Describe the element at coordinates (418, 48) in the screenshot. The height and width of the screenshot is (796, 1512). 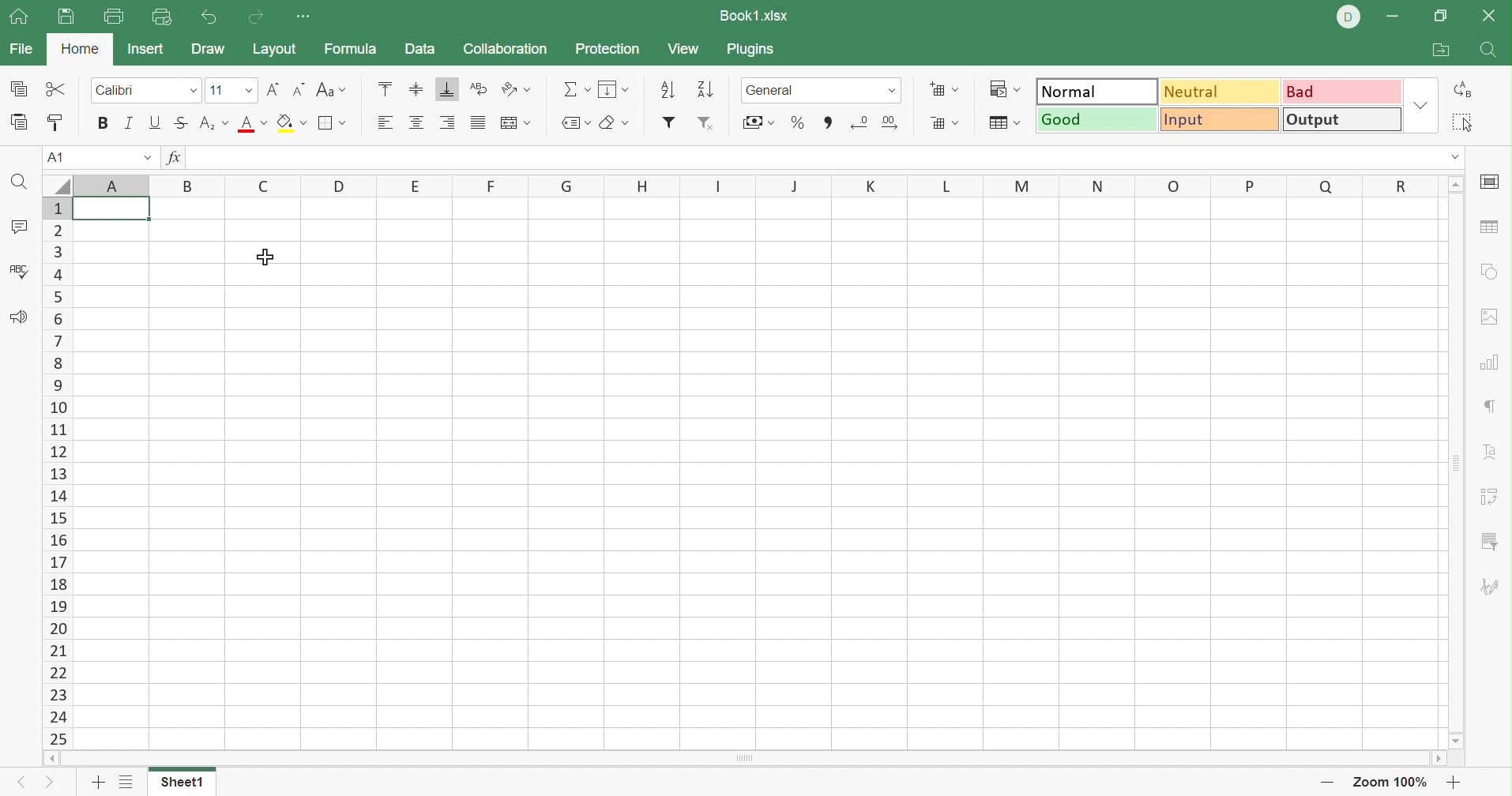
I see `Data` at that location.